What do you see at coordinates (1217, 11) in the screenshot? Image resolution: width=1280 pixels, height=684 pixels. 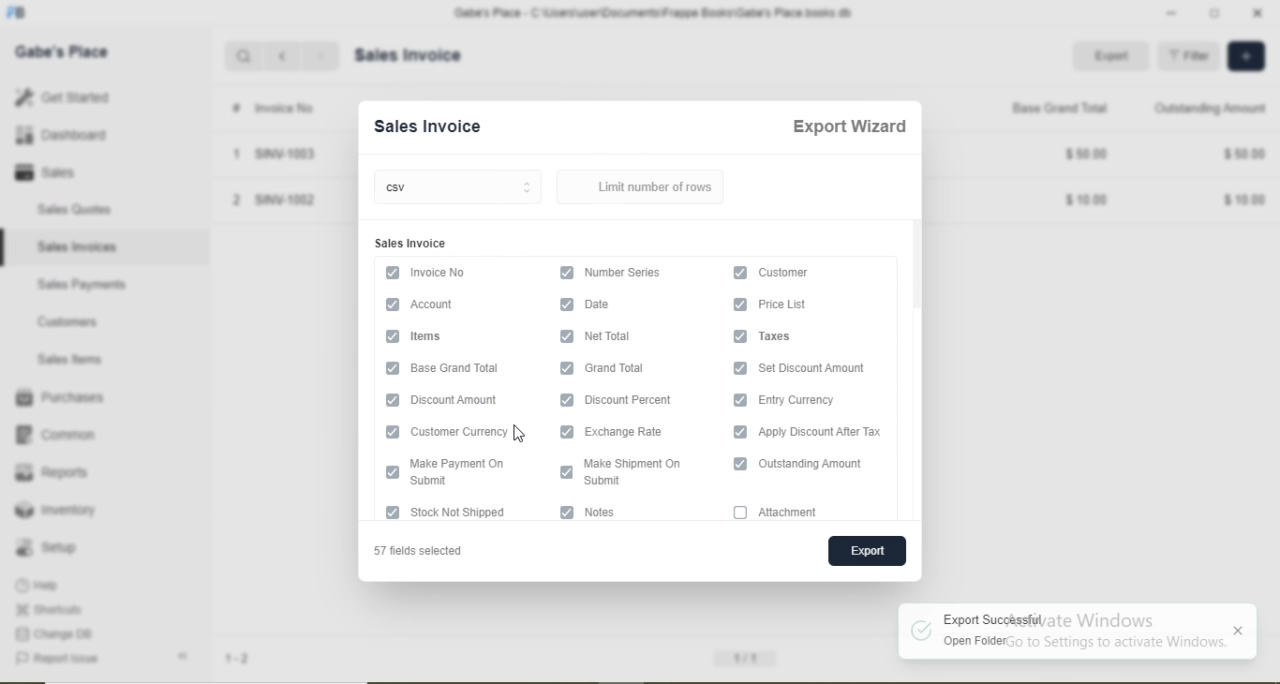 I see `maximise` at bounding box center [1217, 11].